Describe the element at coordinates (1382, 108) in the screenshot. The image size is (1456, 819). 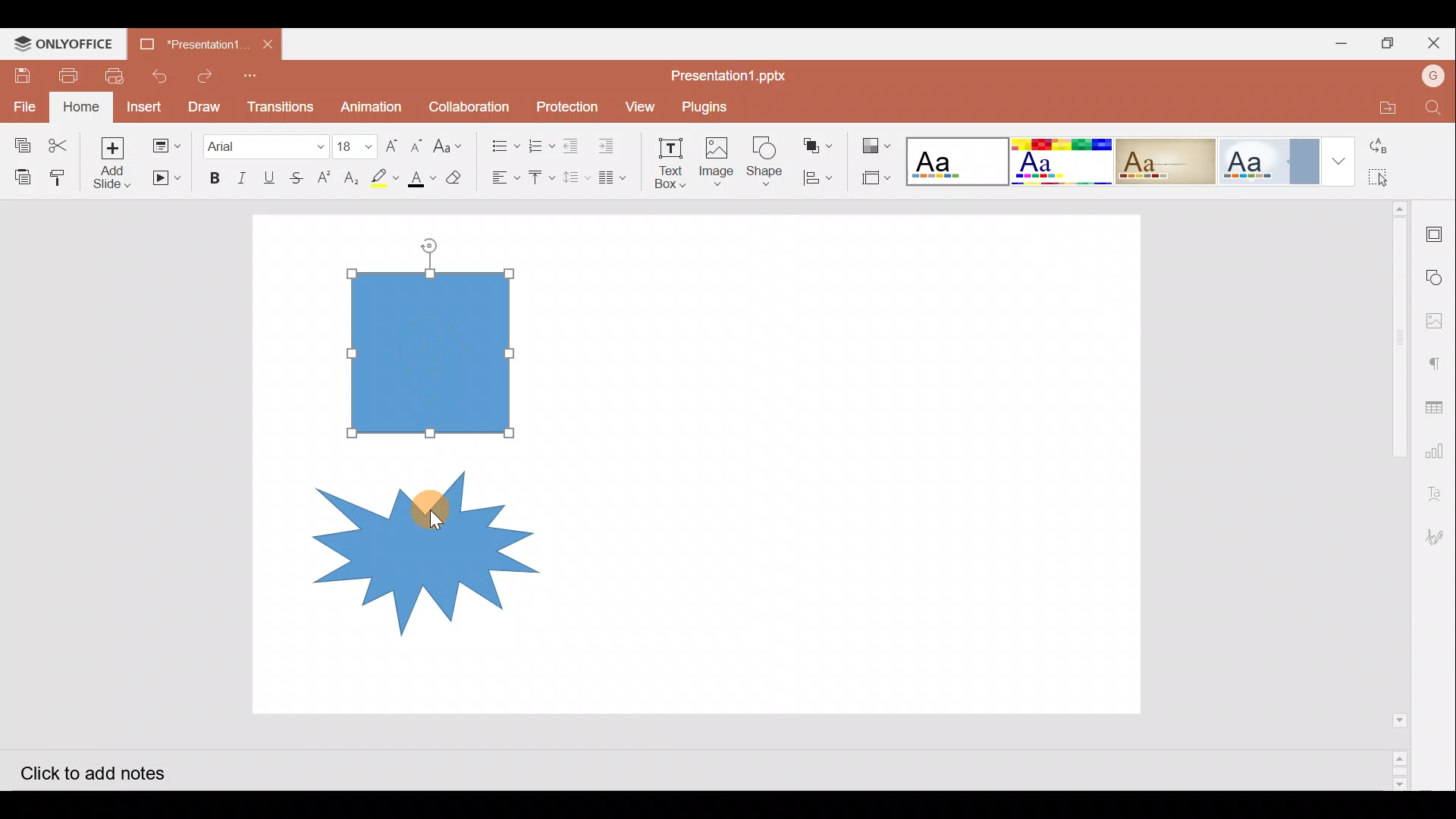
I see `Open file location` at that location.